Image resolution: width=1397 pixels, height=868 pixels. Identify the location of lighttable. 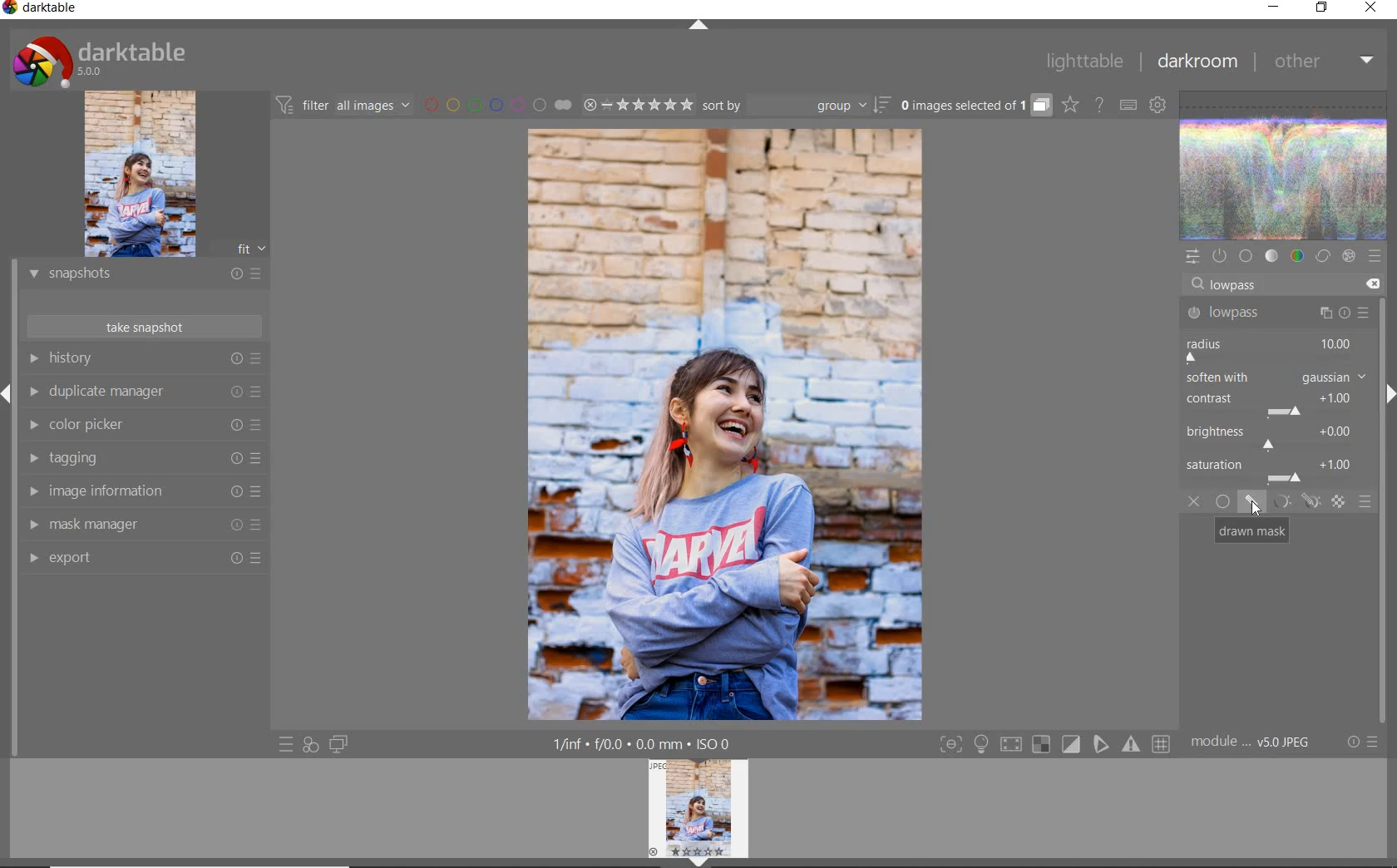
(1082, 64).